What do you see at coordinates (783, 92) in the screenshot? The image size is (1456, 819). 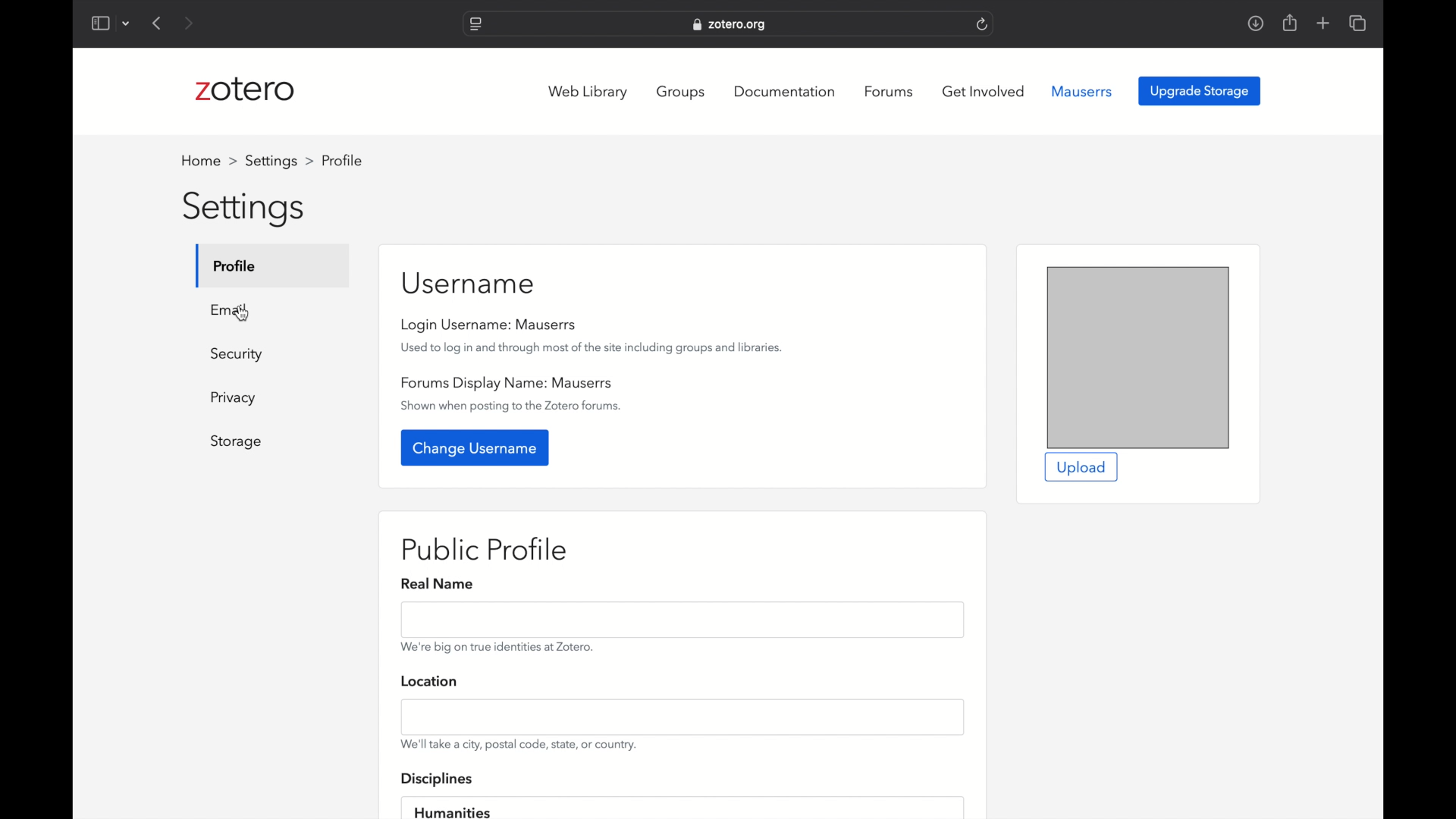 I see `documentation` at bounding box center [783, 92].